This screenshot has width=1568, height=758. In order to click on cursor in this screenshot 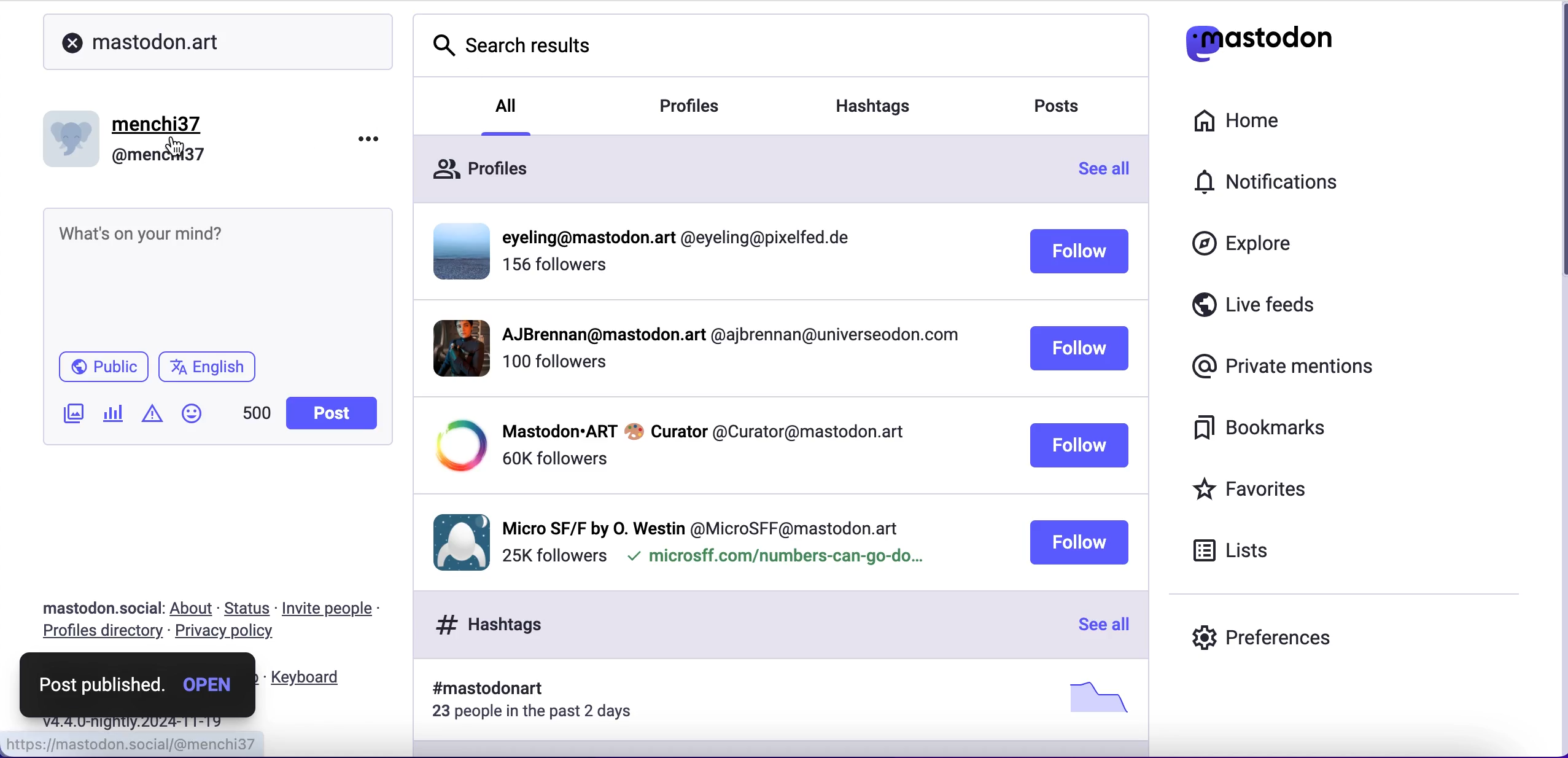, I will do `click(174, 146)`.